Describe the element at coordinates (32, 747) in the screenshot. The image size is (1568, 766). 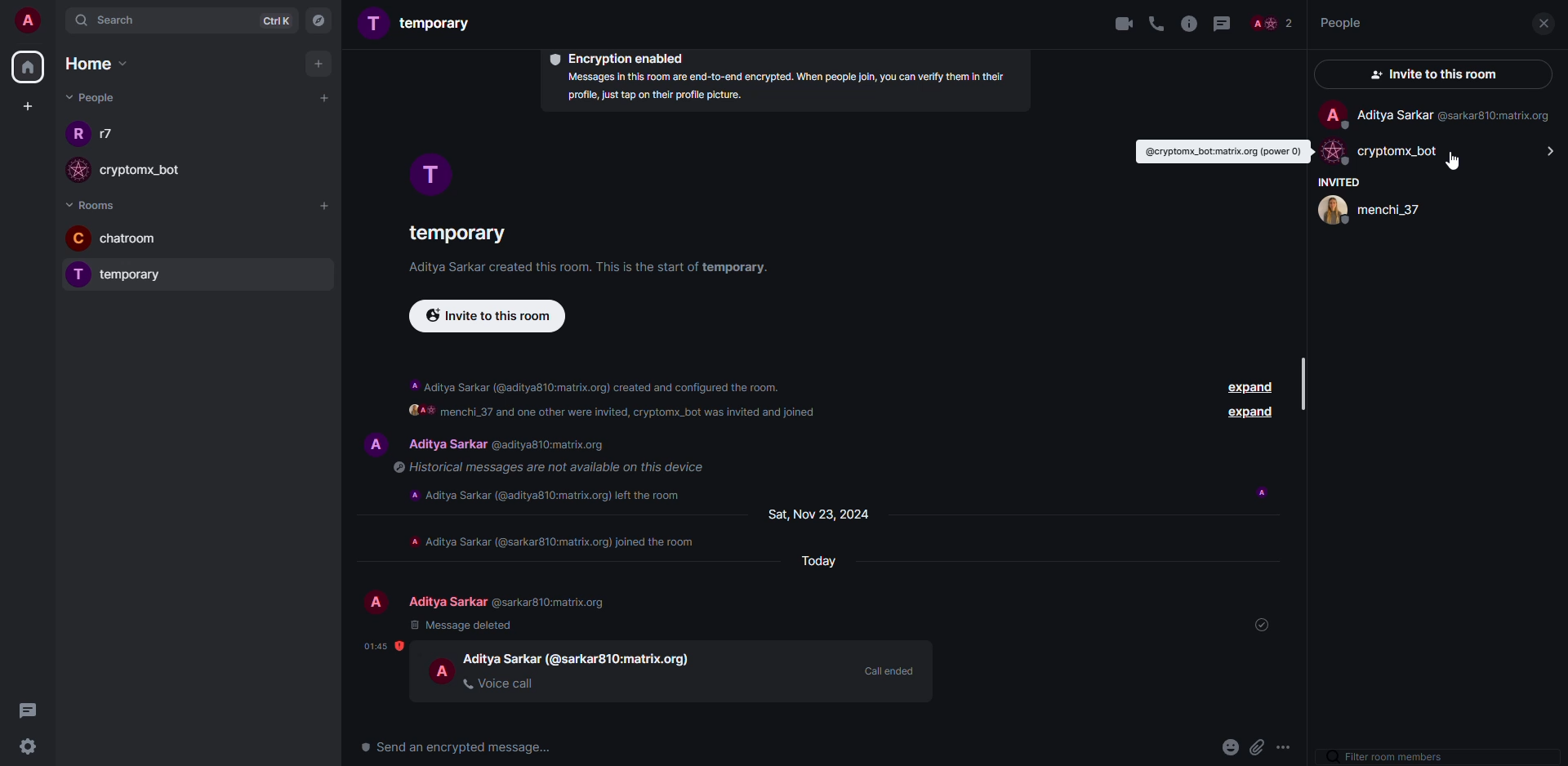
I see `settings` at that location.